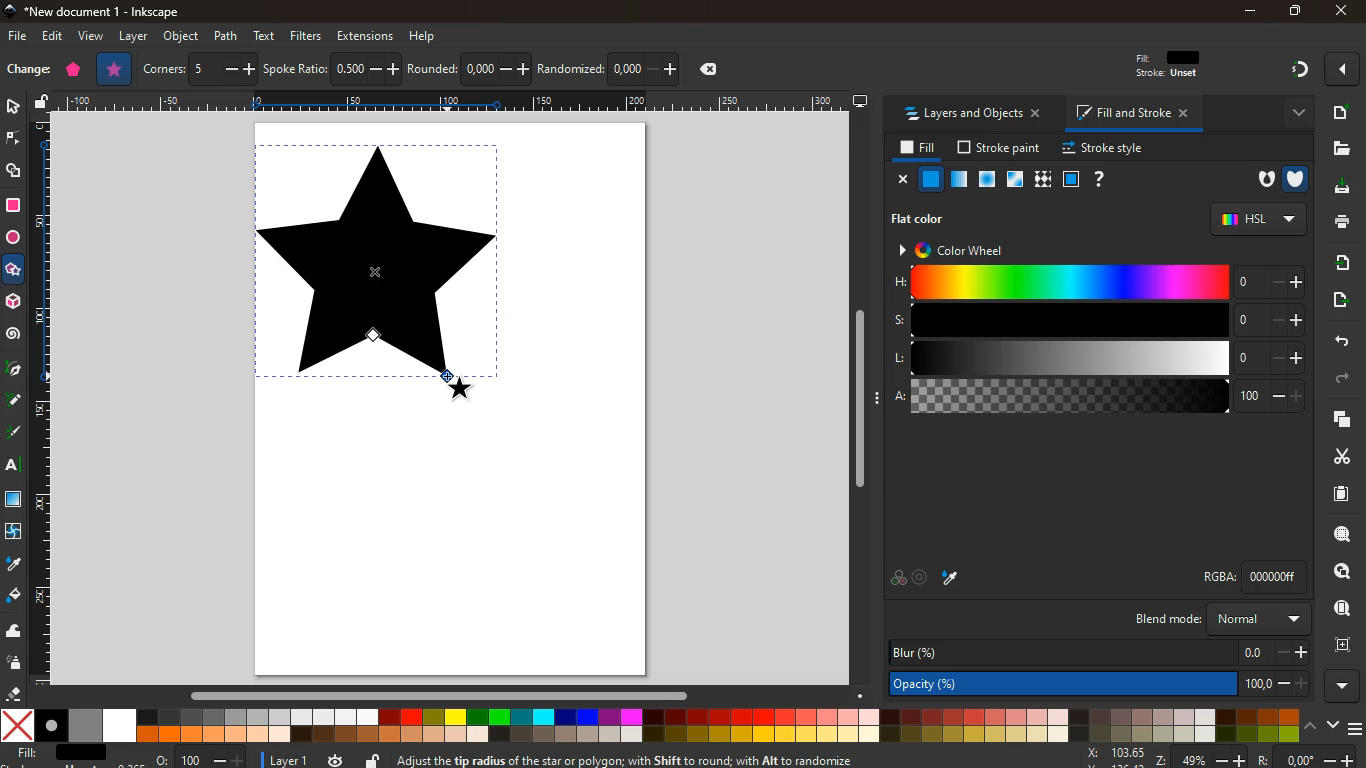  I want to click on shapes, so click(14, 173).